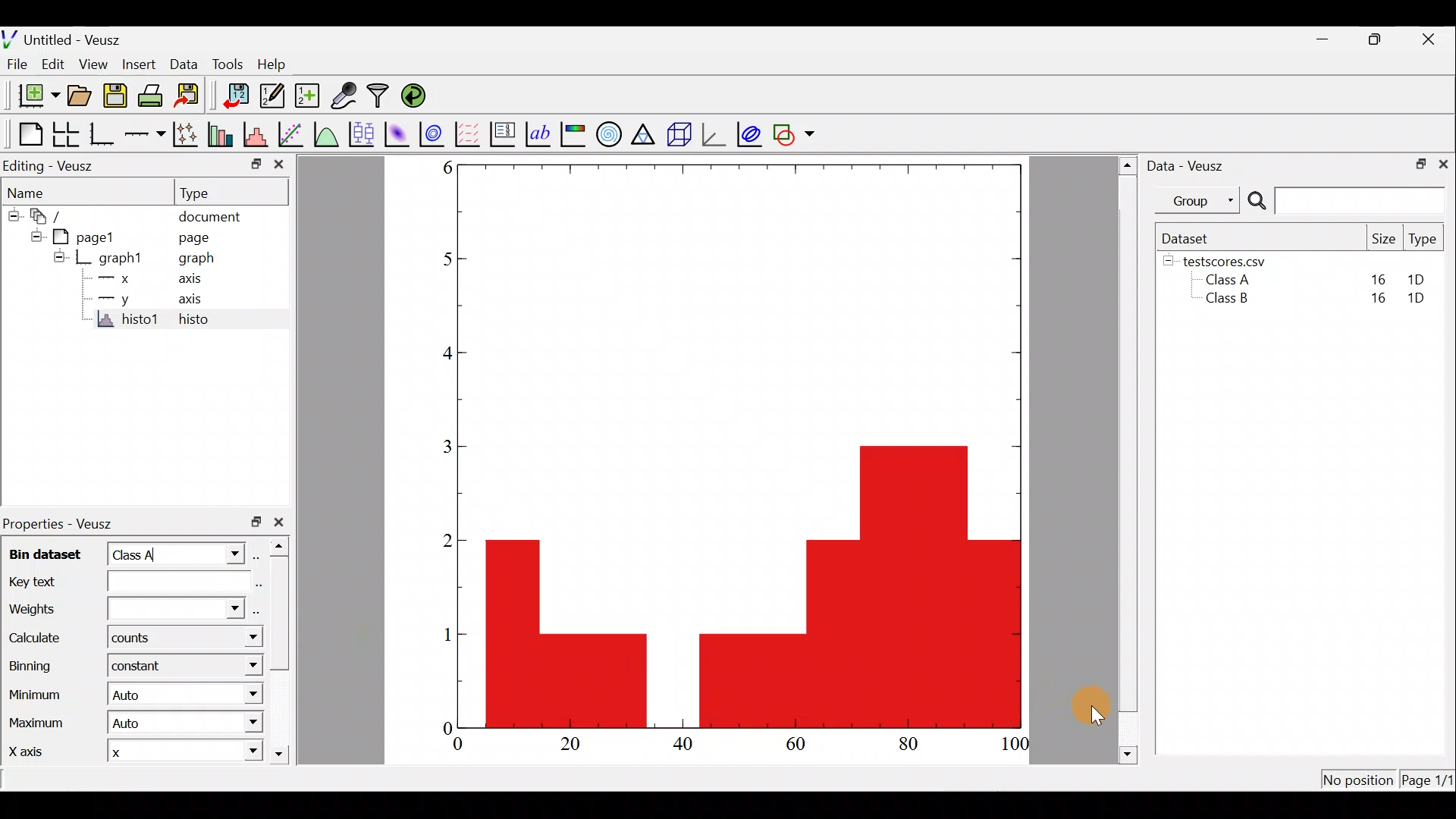 The height and width of the screenshot is (819, 1456). What do you see at coordinates (112, 298) in the screenshot?
I see `y` at bounding box center [112, 298].